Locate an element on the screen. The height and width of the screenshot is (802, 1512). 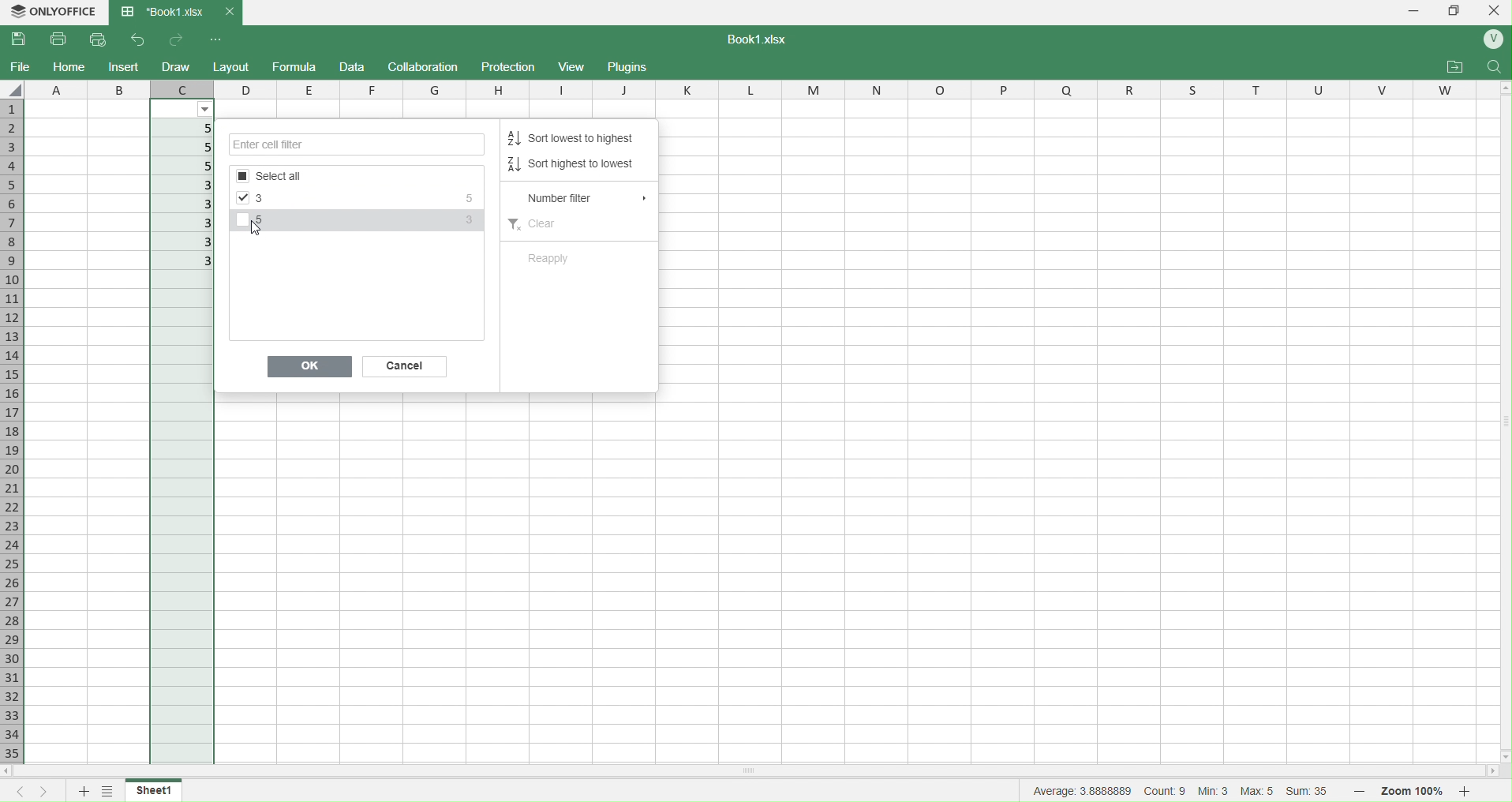
Sheet1 is located at coordinates (161, 790).